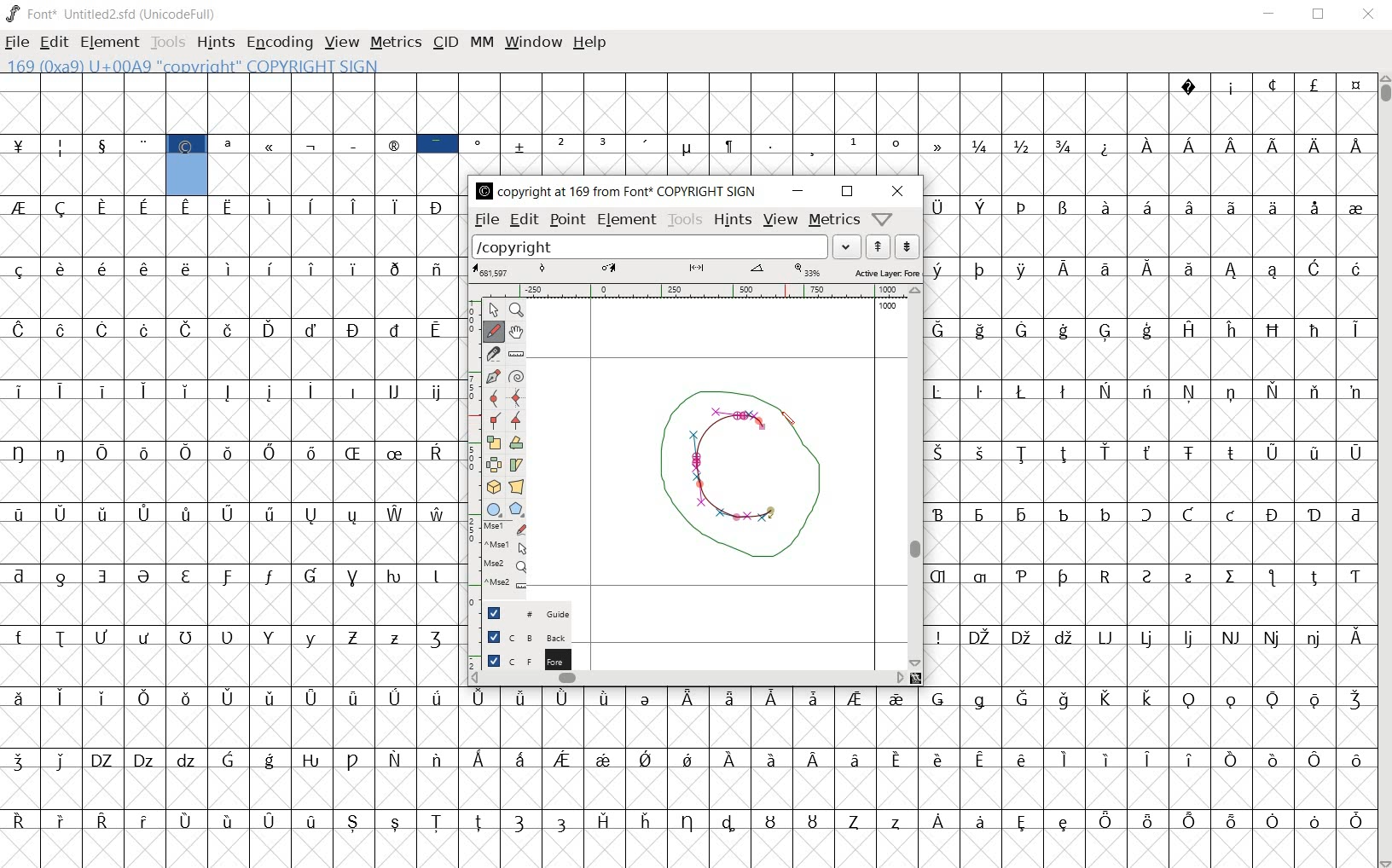  I want to click on restore, so click(848, 192).